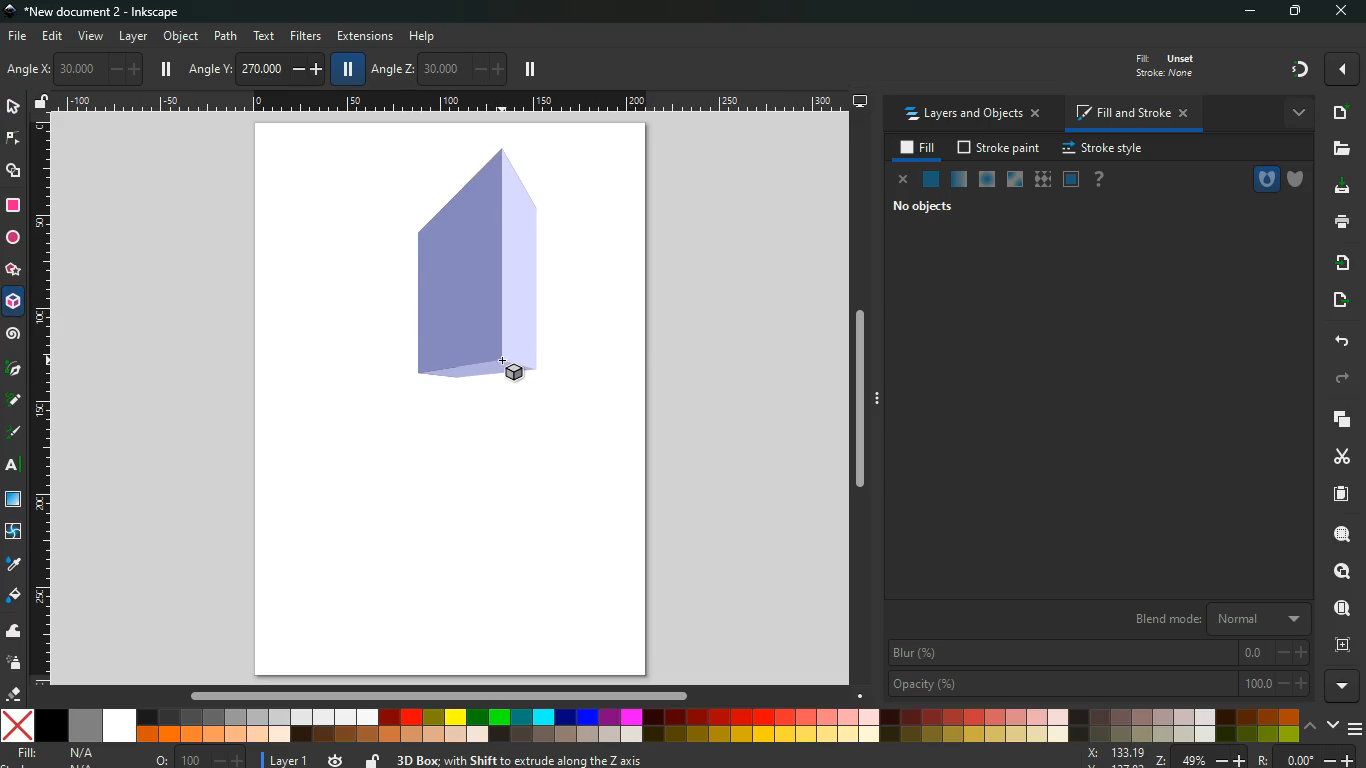 This screenshot has height=768, width=1366. What do you see at coordinates (1338, 113) in the screenshot?
I see `new` at bounding box center [1338, 113].